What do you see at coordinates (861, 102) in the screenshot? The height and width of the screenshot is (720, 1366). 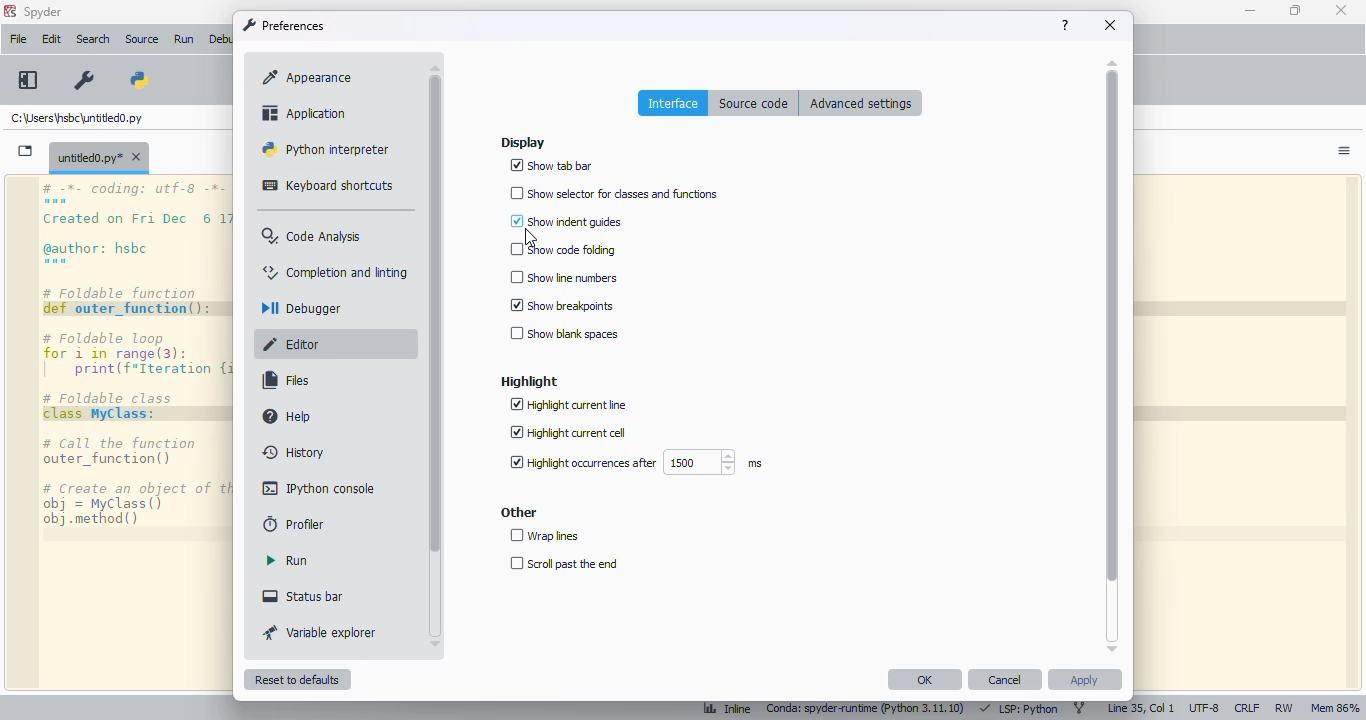 I see `advanced settings` at bounding box center [861, 102].